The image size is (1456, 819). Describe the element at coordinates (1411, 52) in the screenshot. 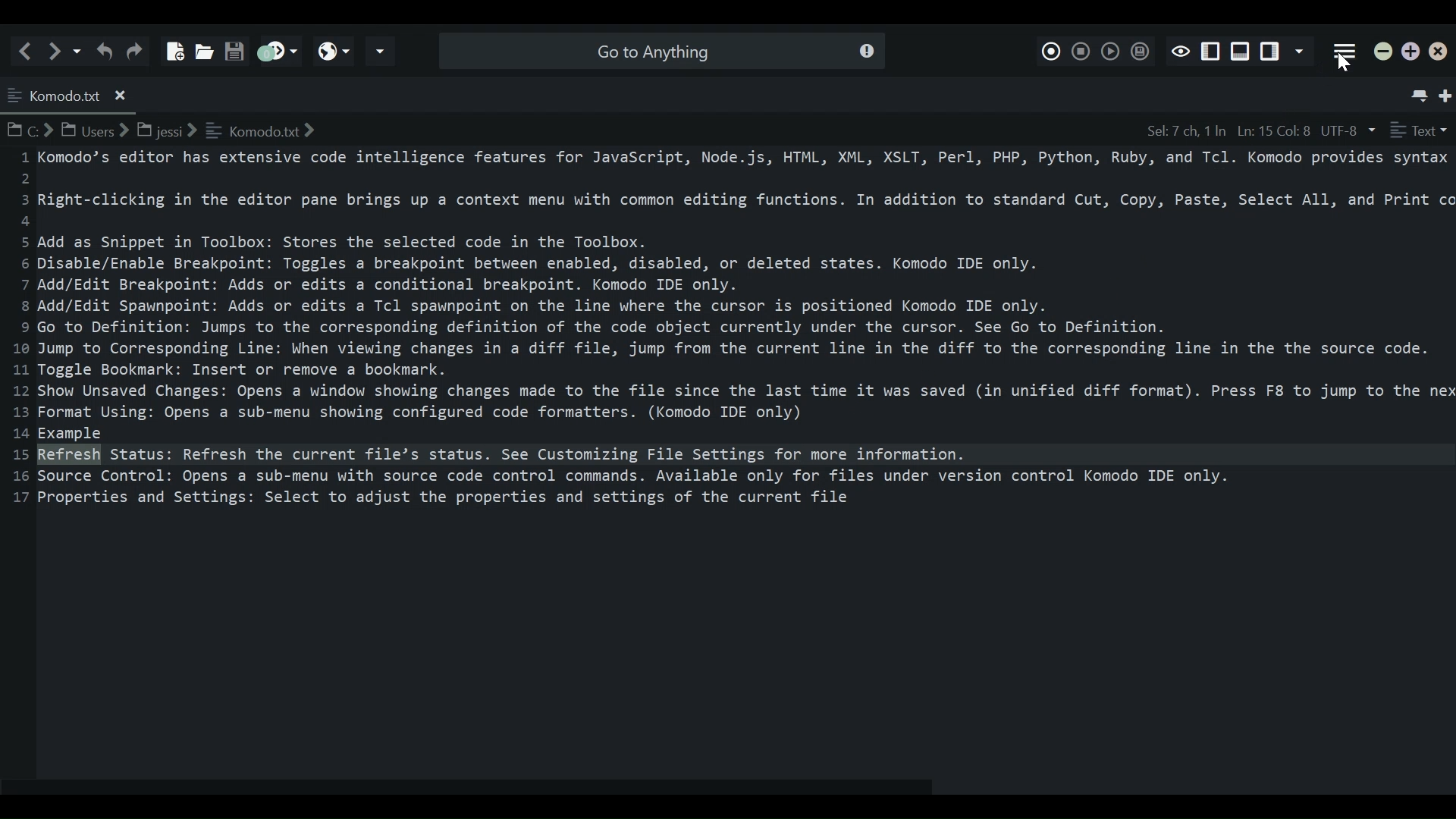

I see `Restore` at that location.